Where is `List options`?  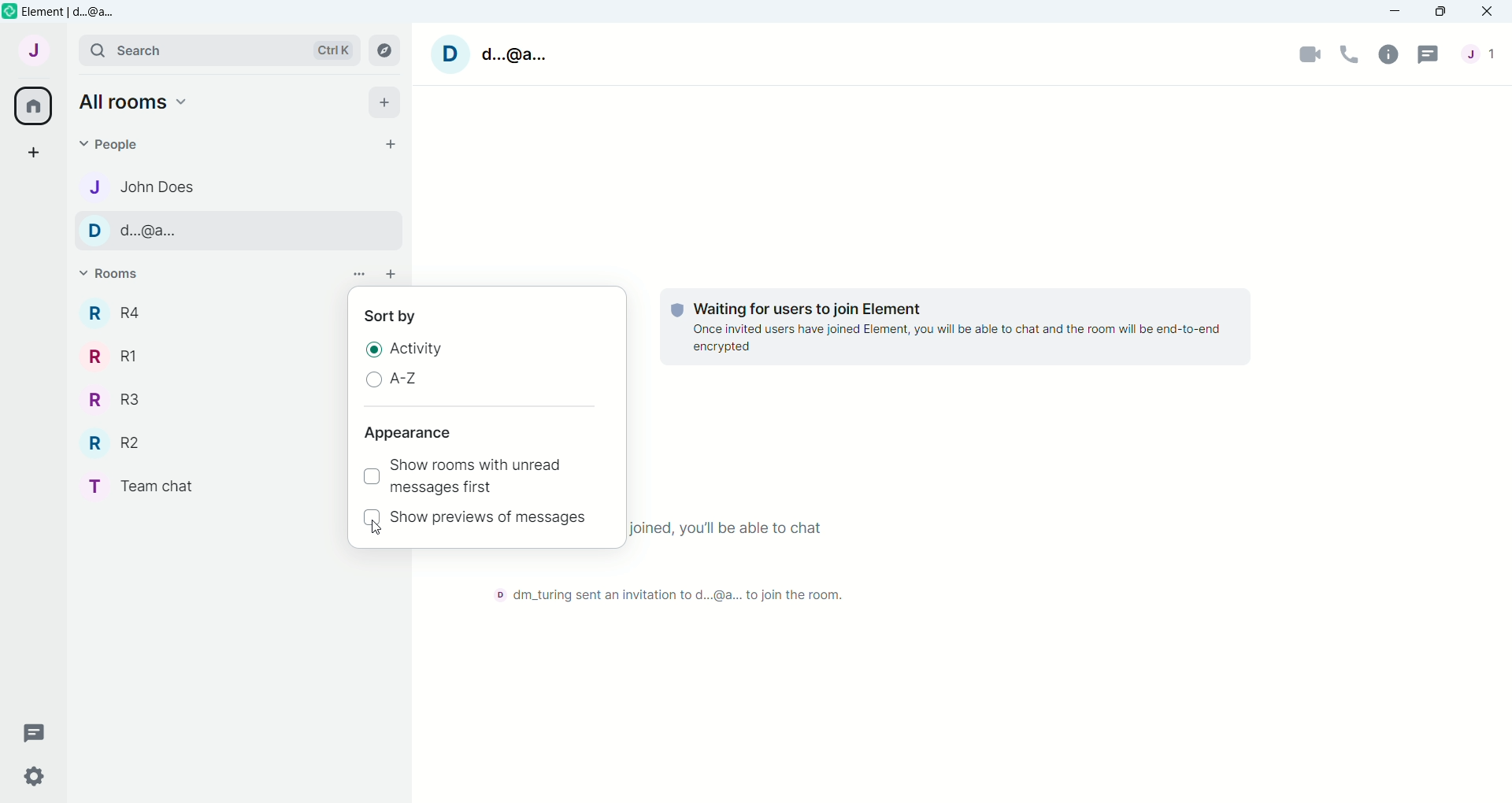 List options is located at coordinates (358, 273).